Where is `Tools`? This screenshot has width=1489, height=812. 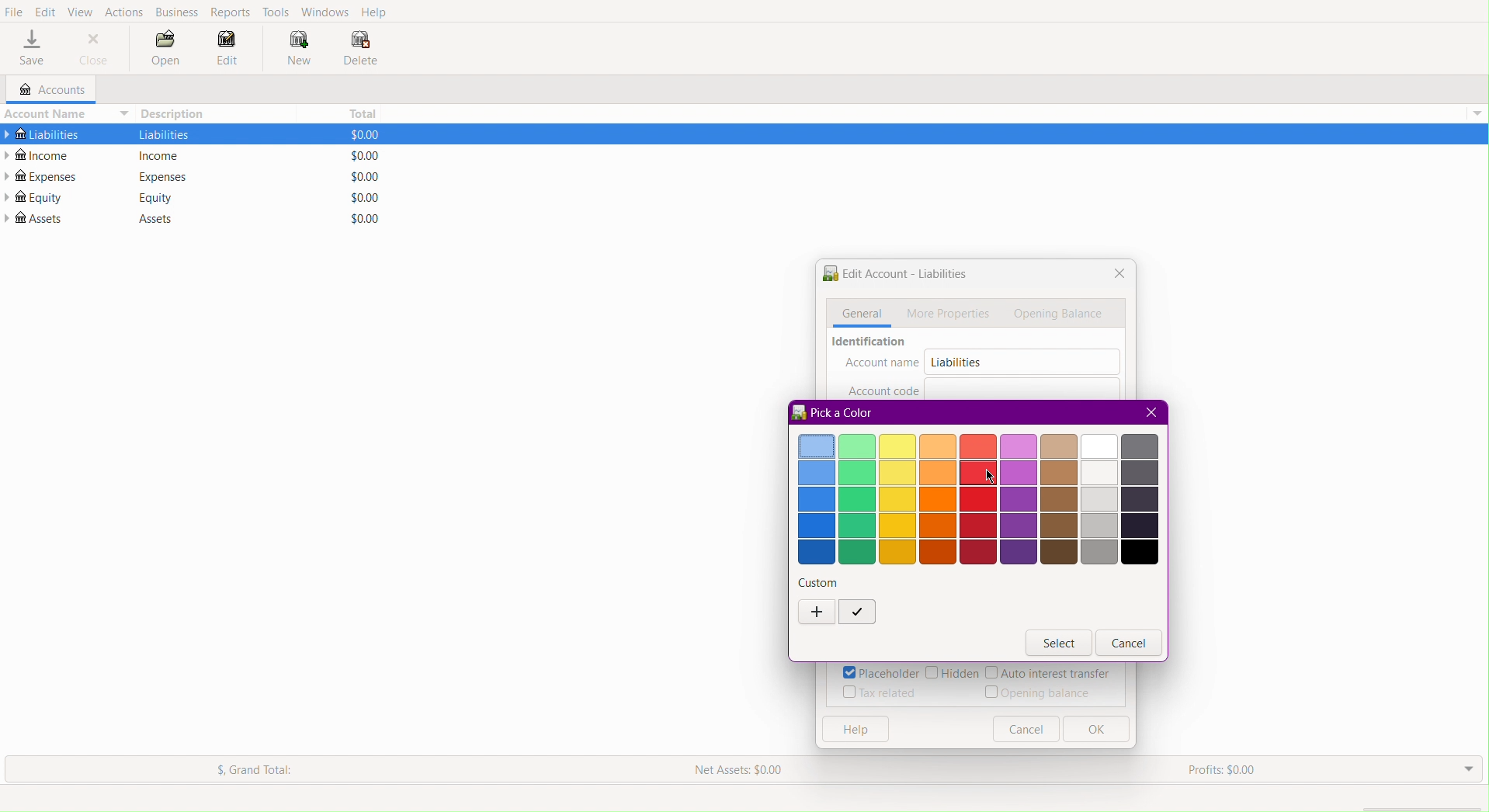
Tools is located at coordinates (277, 11).